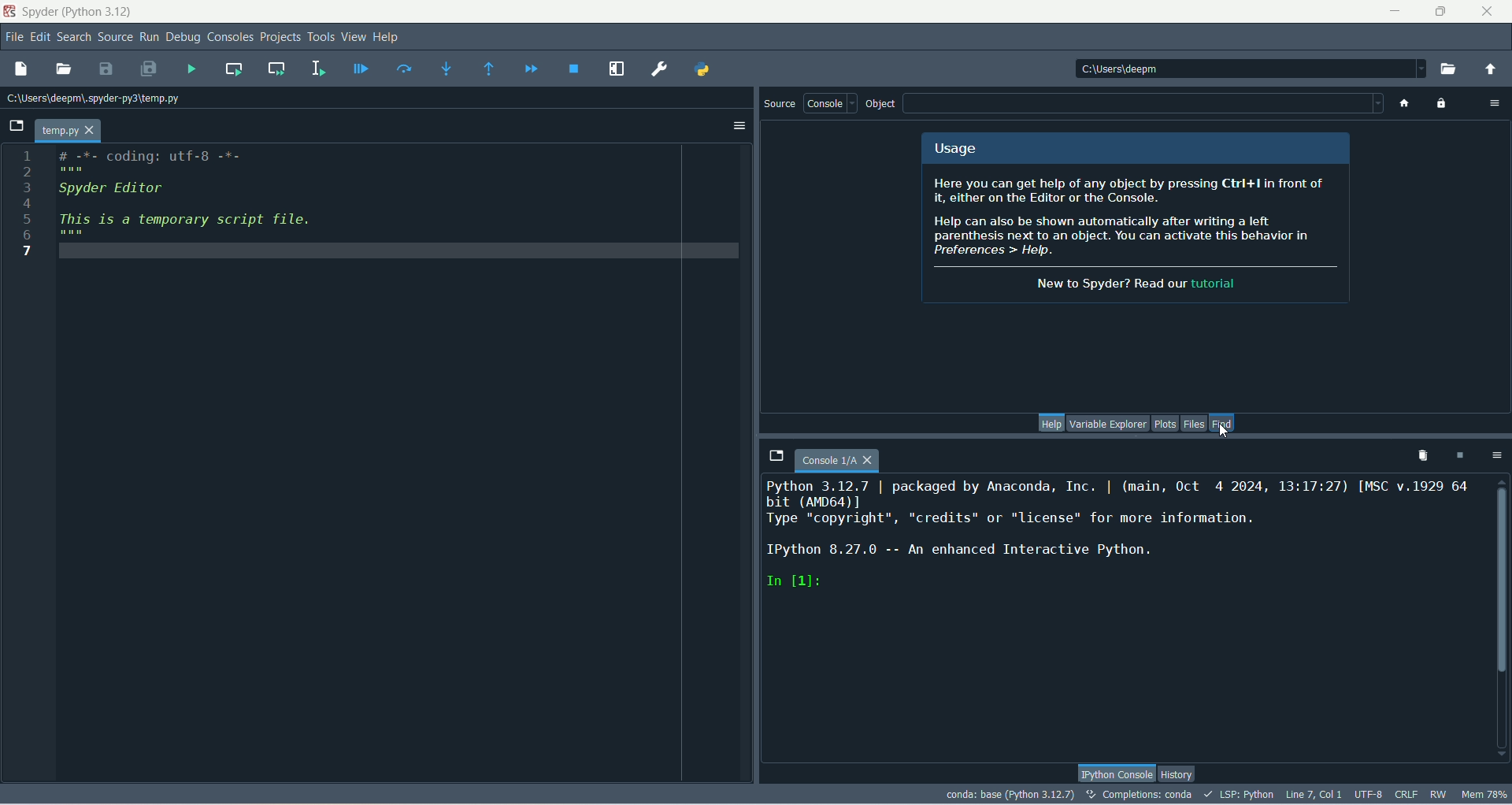  I want to click on history, so click(1176, 775).